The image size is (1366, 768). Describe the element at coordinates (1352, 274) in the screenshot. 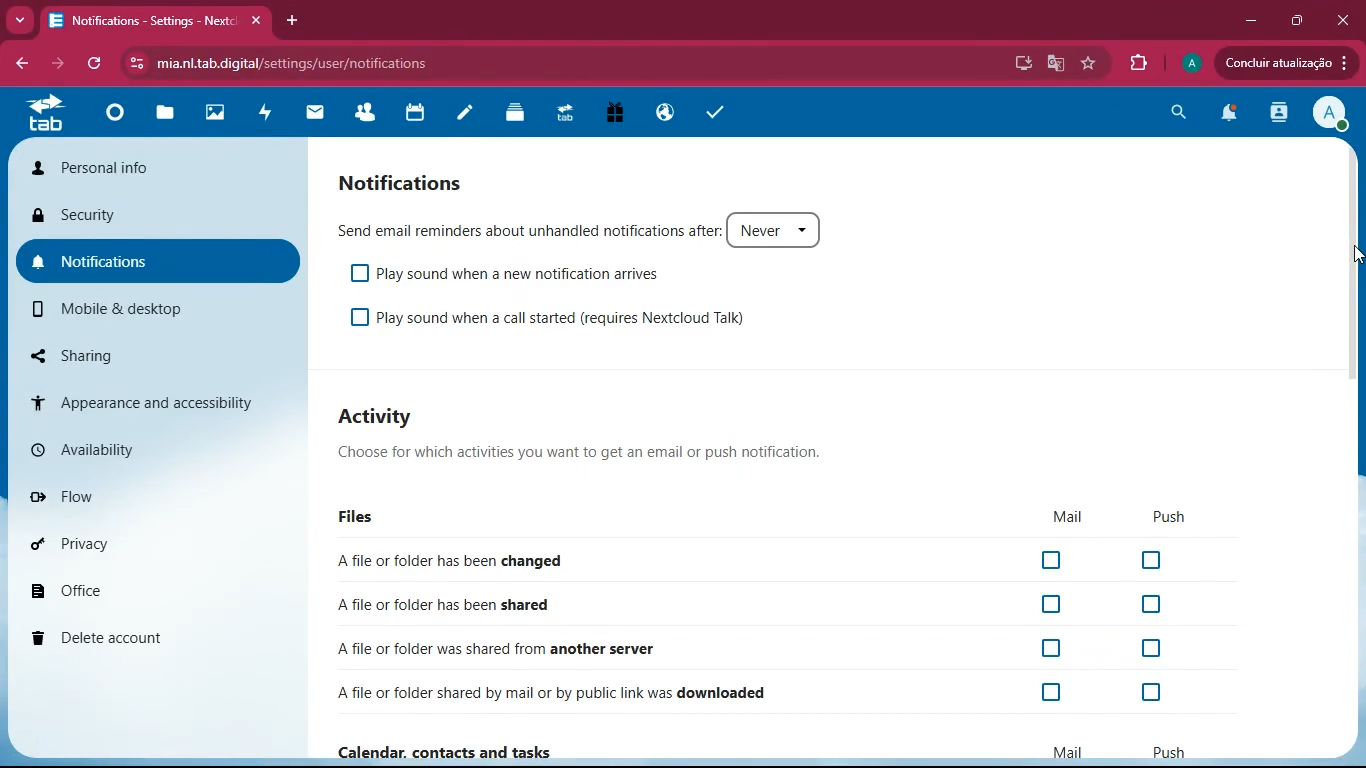

I see `Scroll` at that location.